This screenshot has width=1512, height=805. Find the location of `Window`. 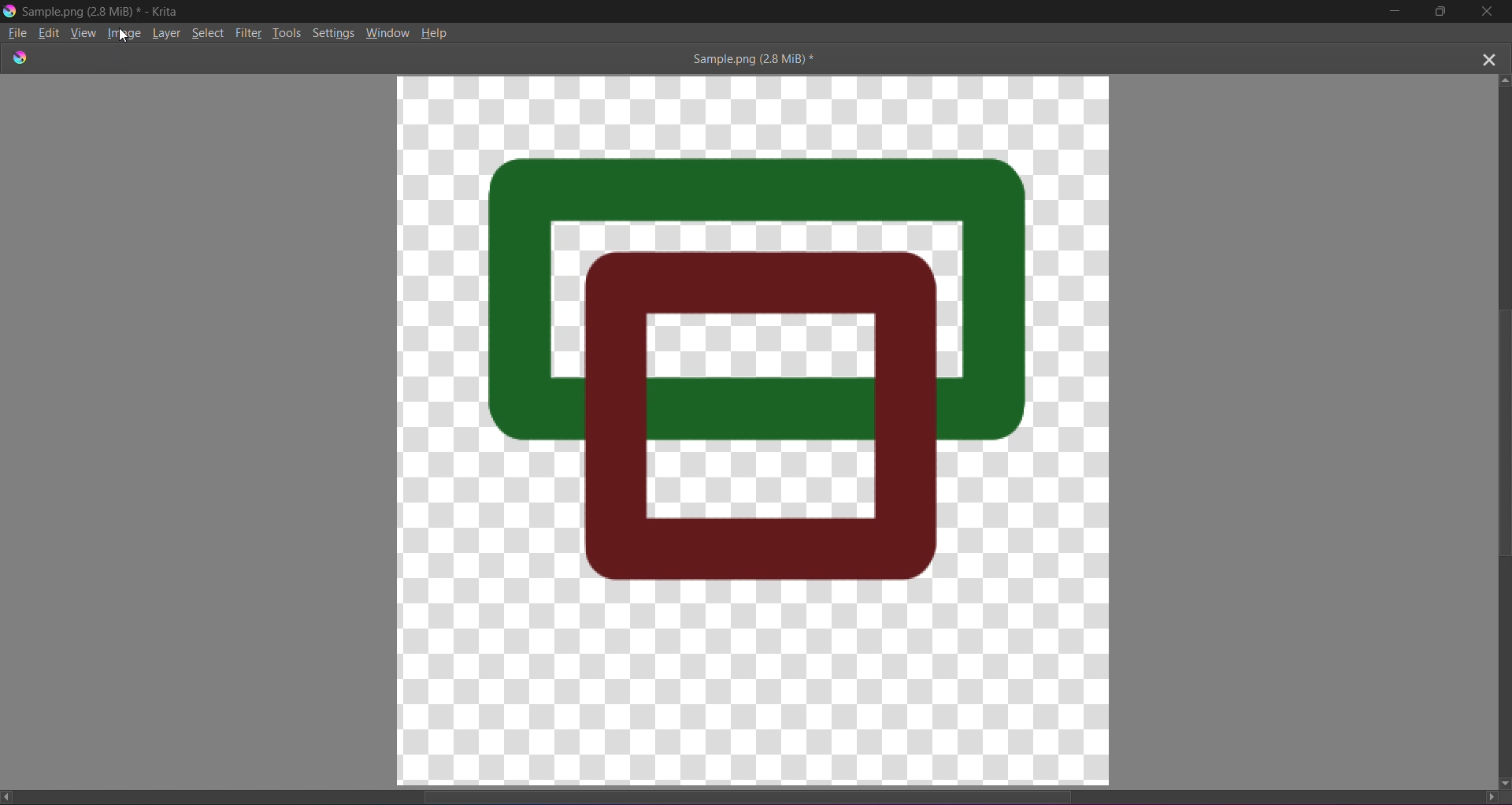

Window is located at coordinates (388, 31).